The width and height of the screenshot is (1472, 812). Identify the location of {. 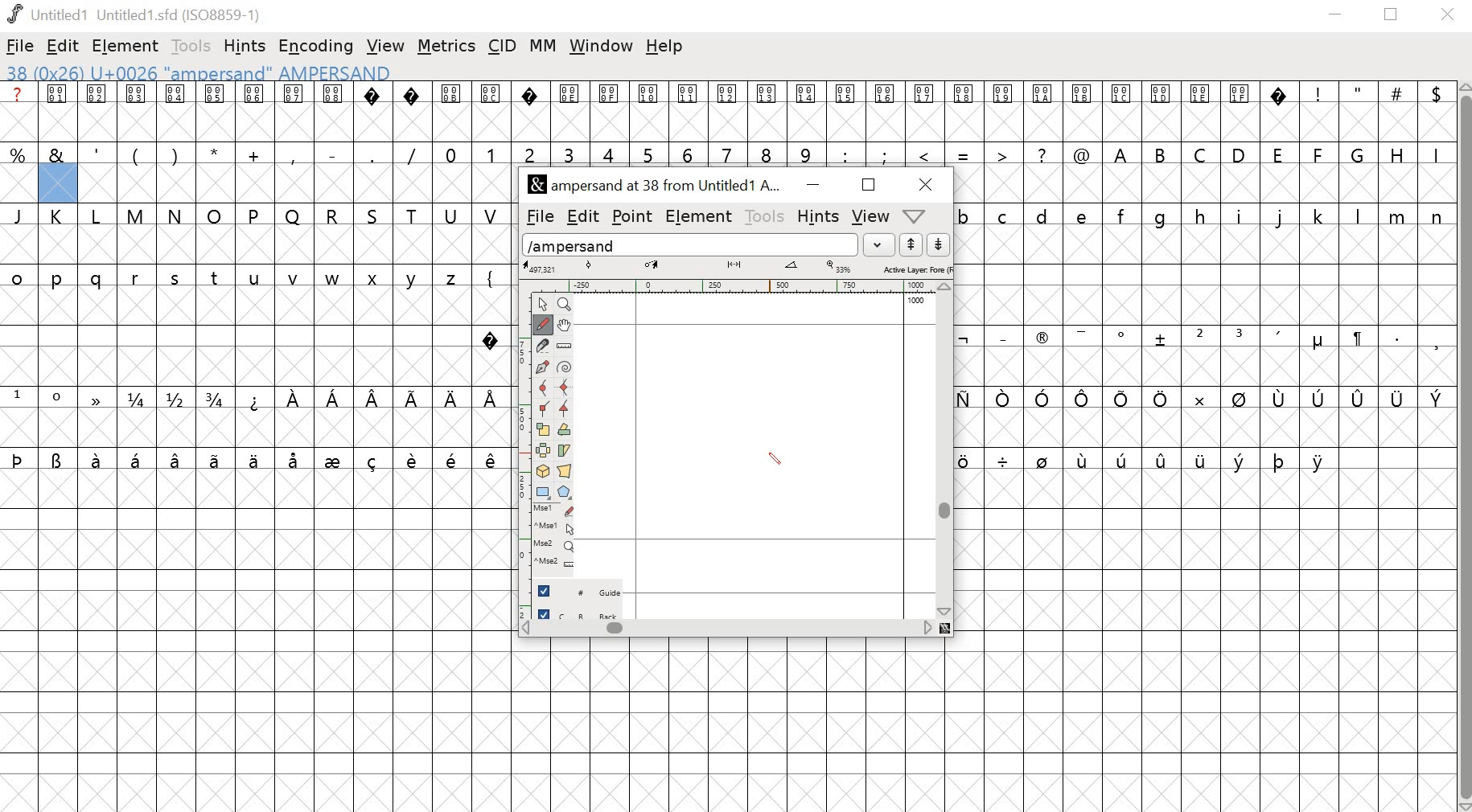
(491, 276).